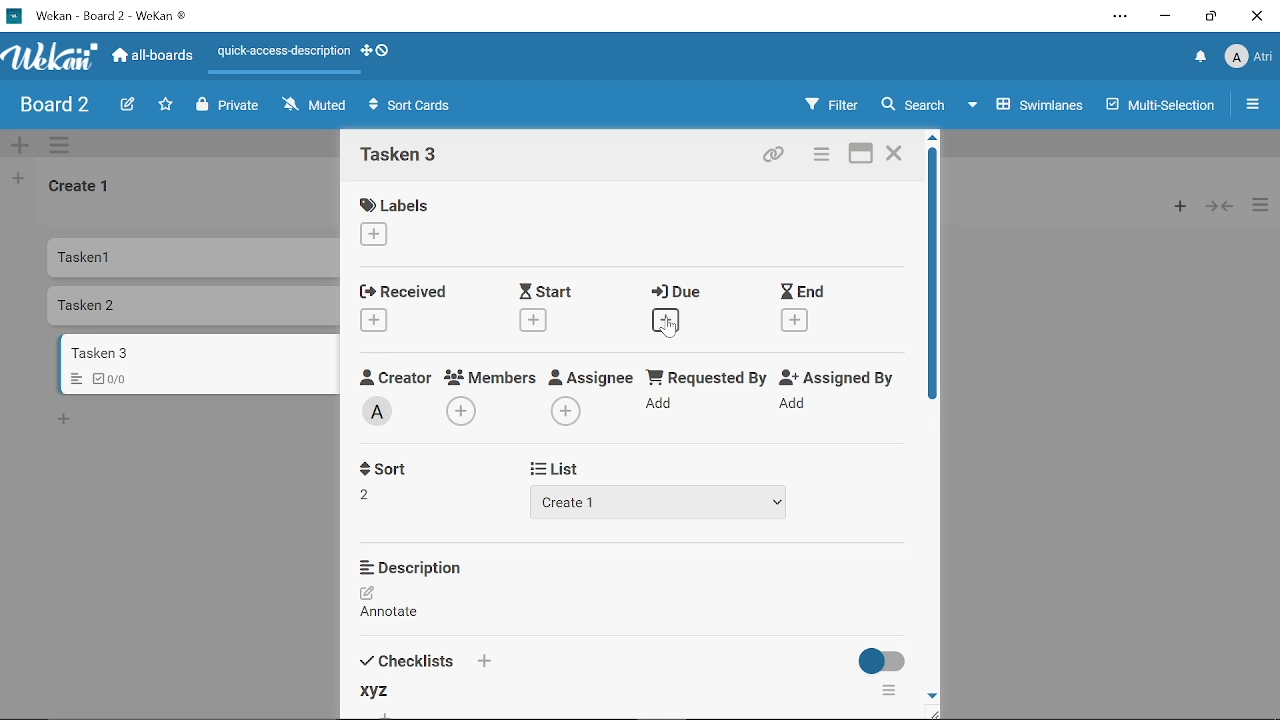  I want to click on show desktop drag handles, so click(382, 52).